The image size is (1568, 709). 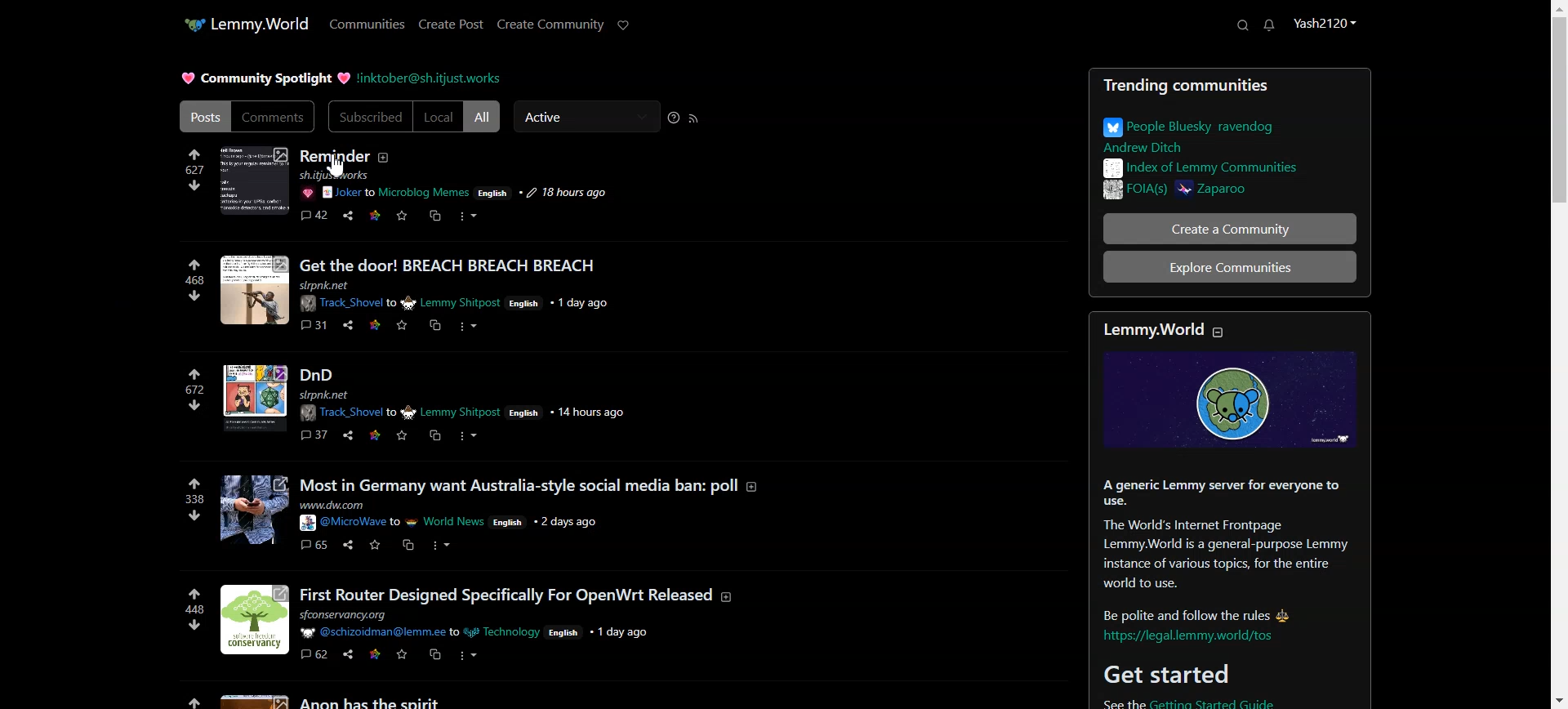 What do you see at coordinates (334, 164) in the screenshot?
I see `Text` at bounding box center [334, 164].